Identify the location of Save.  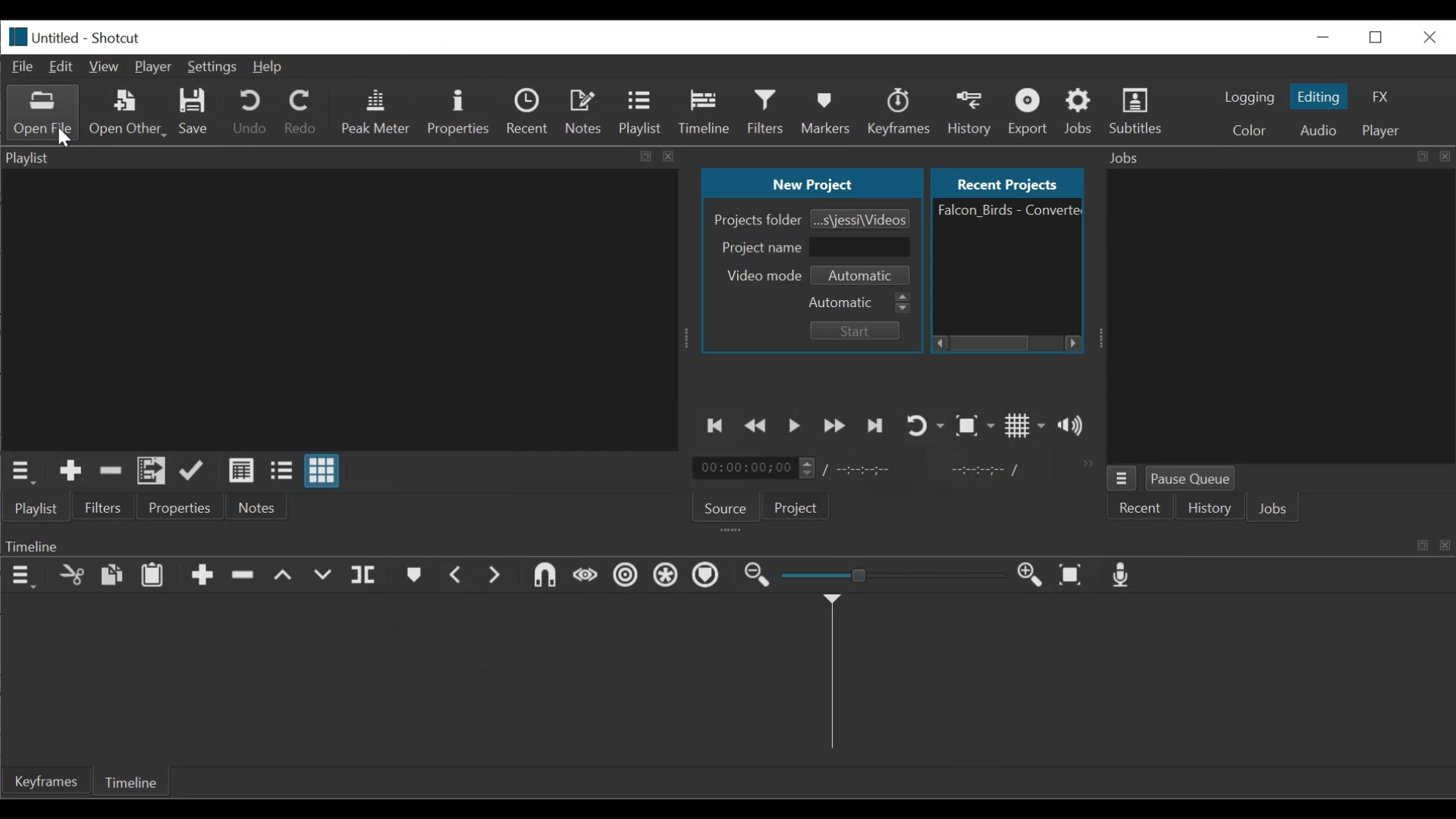
(192, 114).